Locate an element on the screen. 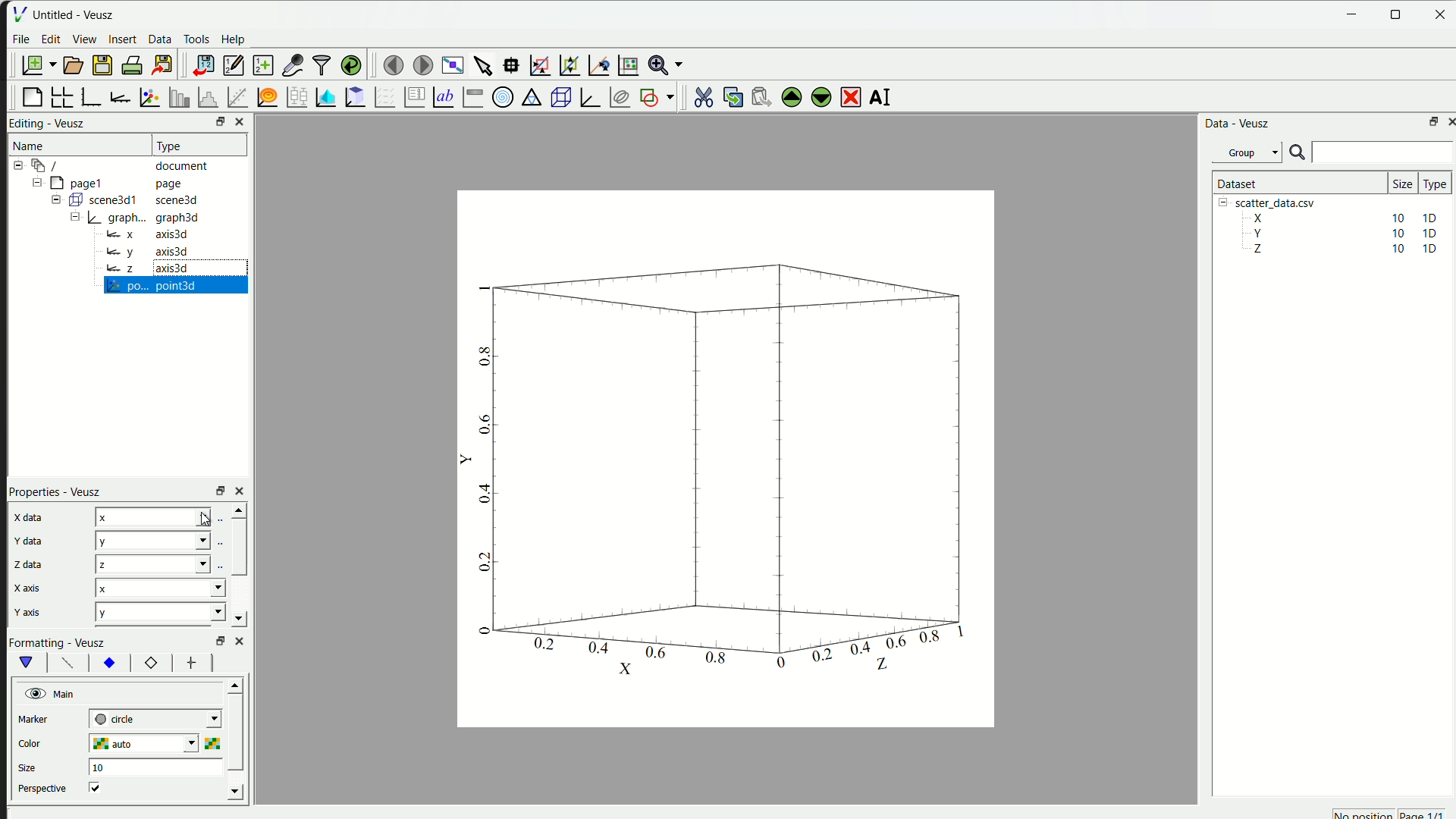 The image size is (1456, 819). plot function is located at coordinates (265, 97).